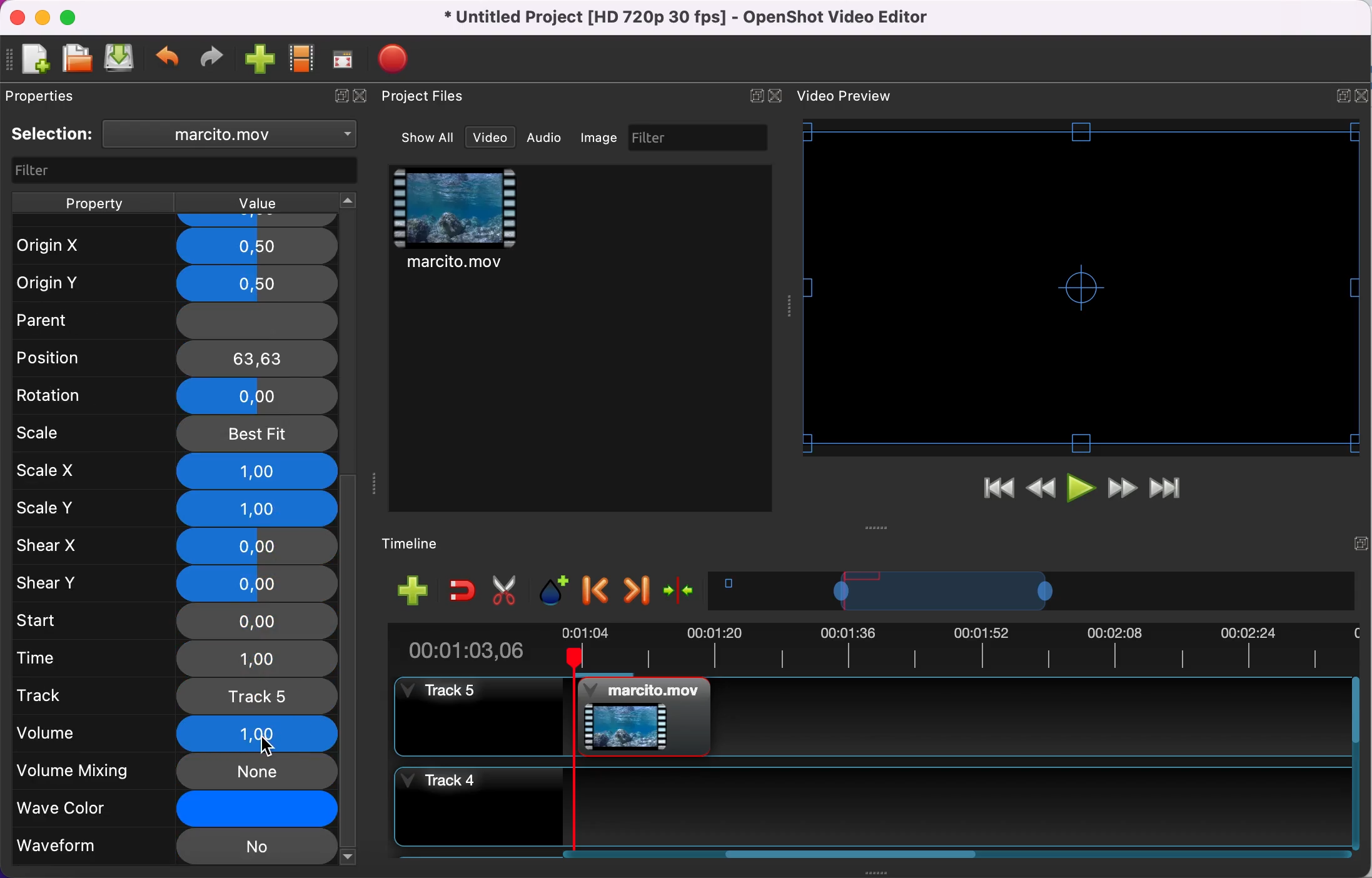 The height and width of the screenshot is (878, 1372). I want to click on fast forward, so click(1122, 490).